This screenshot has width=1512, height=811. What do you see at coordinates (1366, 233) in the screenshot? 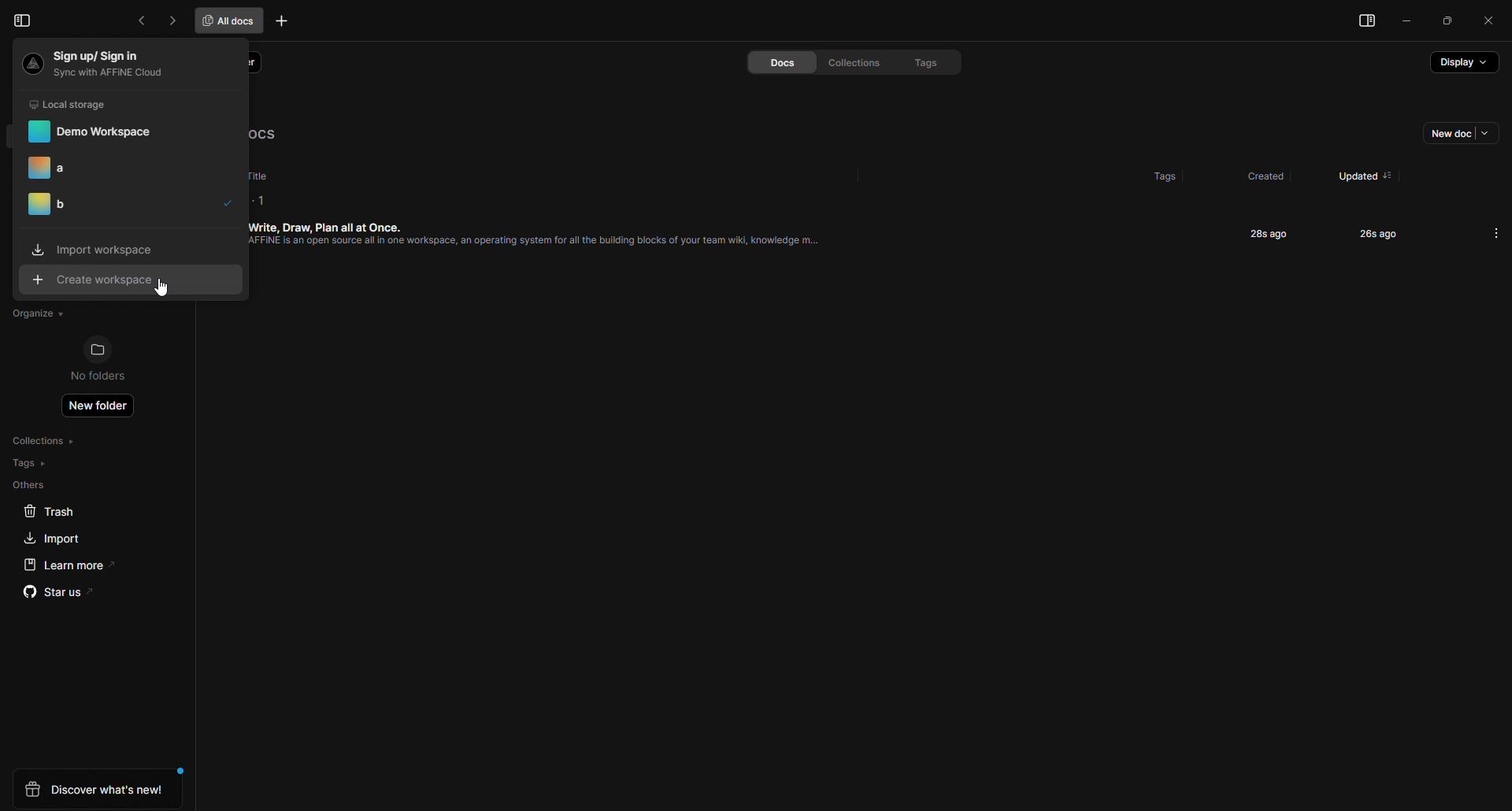
I see `time` at bounding box center [1366, 233].